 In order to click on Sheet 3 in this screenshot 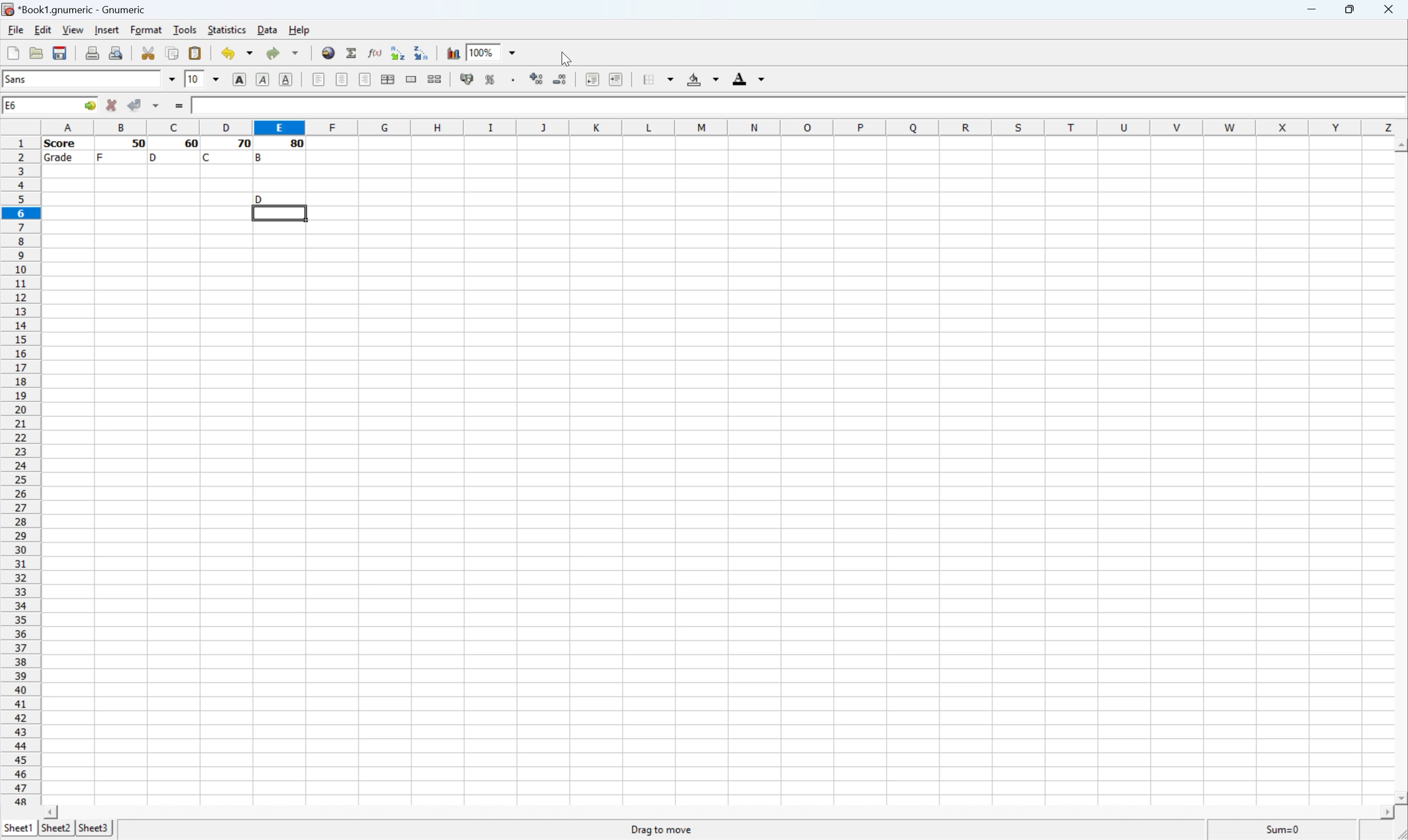, I will do `click(95, 829)`.